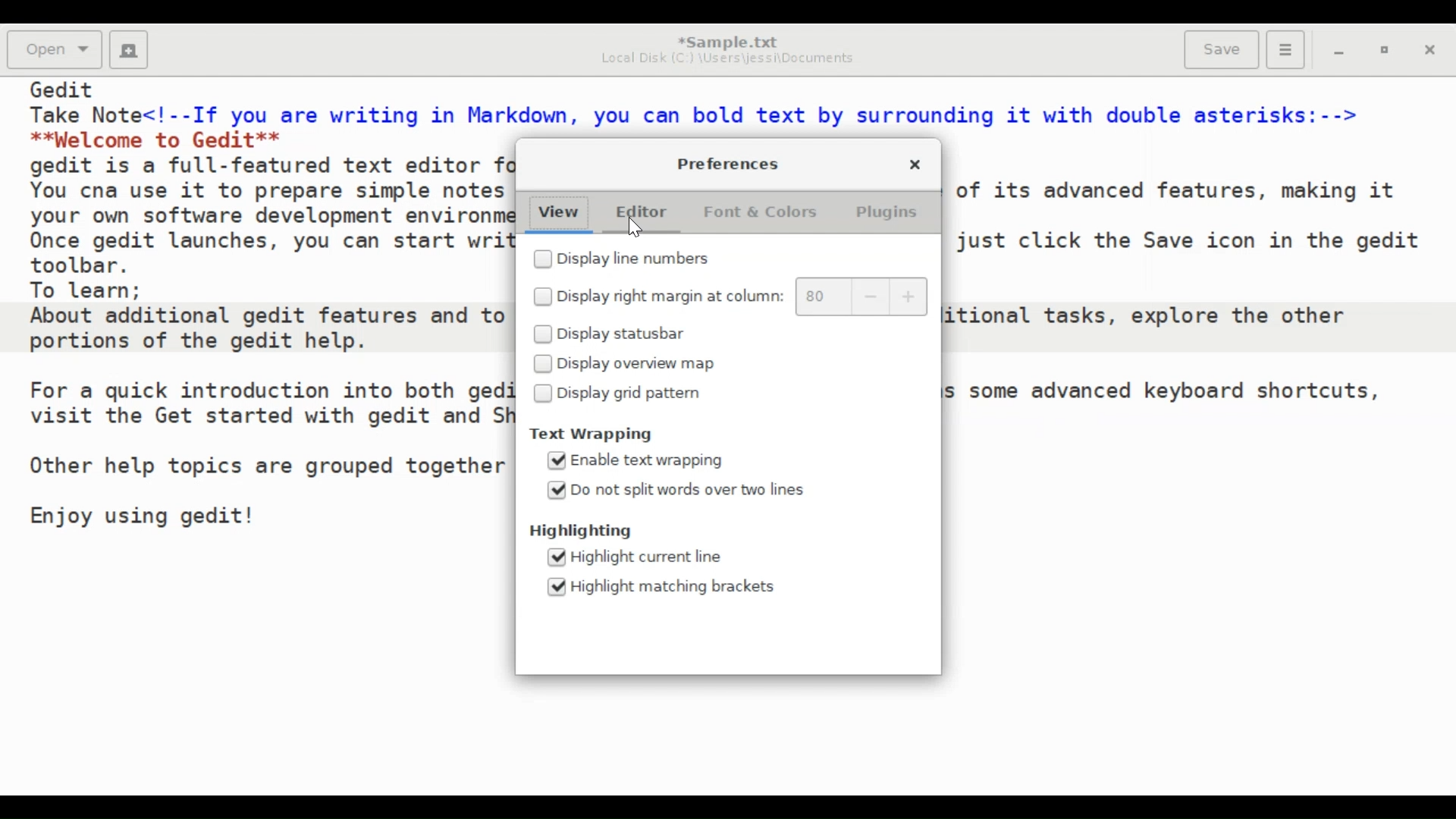 This screenshot has height=819, width=1456. I want to click on Application menu, so click(1285, 50).